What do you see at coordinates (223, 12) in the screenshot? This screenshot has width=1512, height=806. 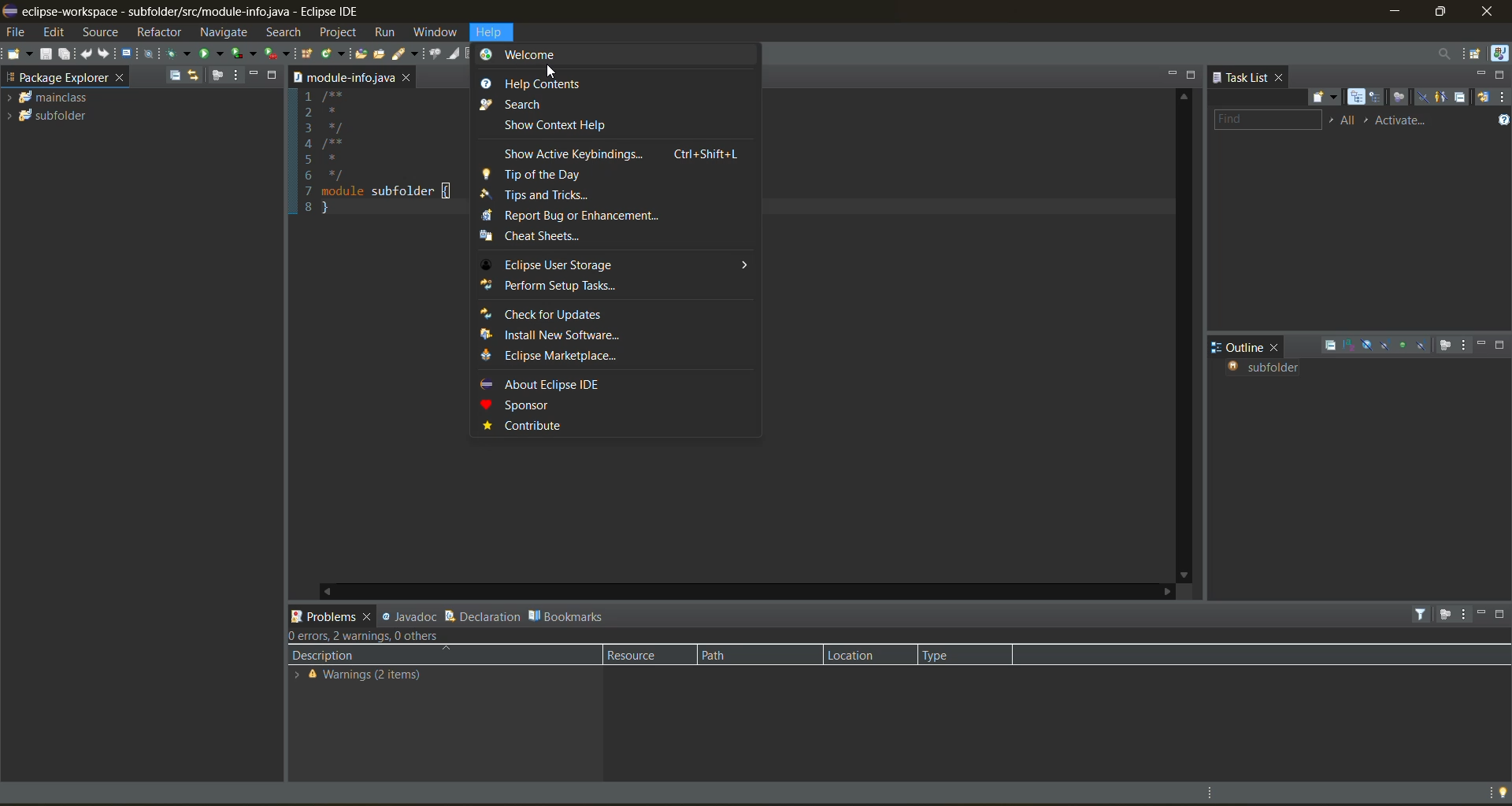 I see `app title and file name` at bounding box center [223, 12].